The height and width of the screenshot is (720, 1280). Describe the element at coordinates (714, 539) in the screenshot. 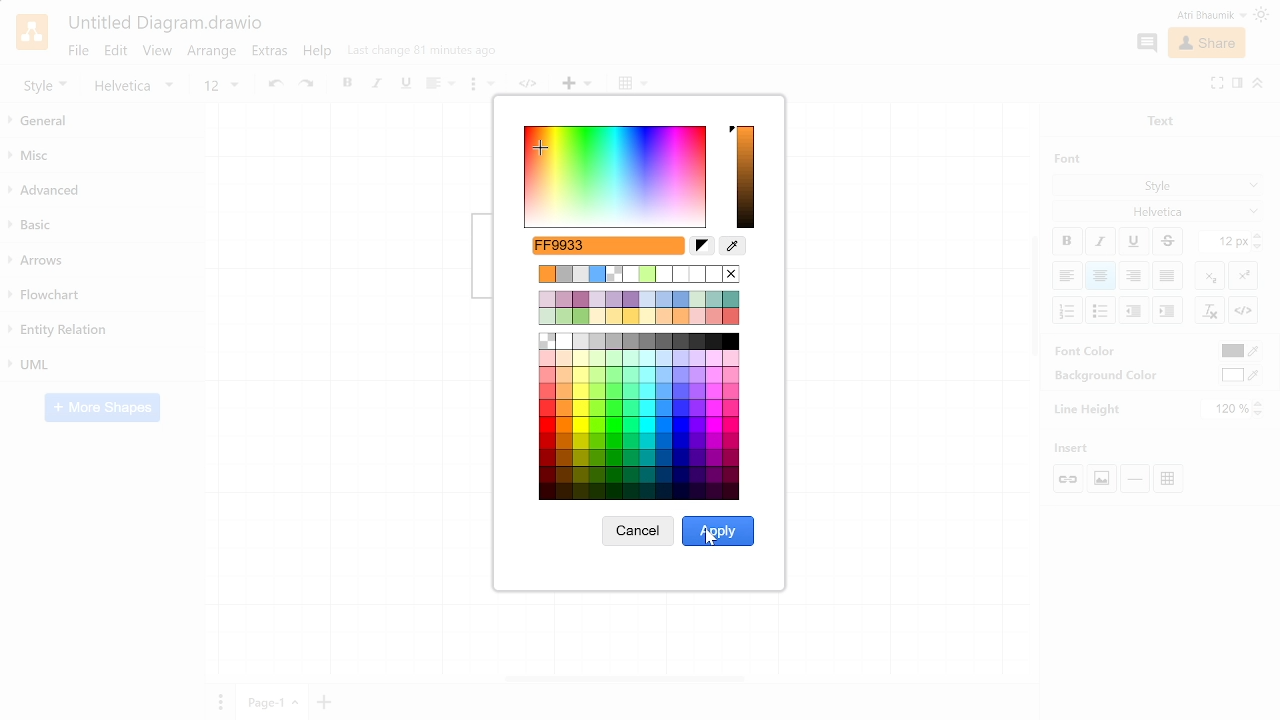

I see `Cursor` at that location.